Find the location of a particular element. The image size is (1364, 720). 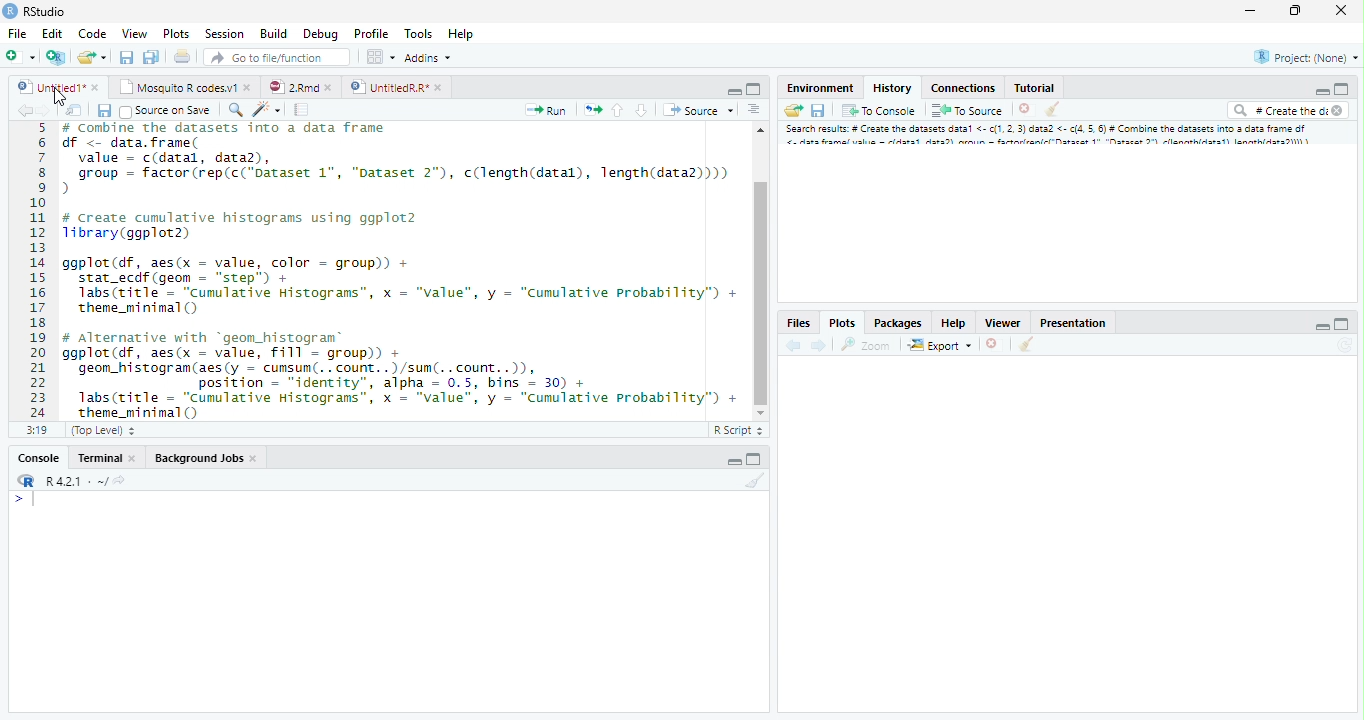

Environment is located at coordinates (819, 88).